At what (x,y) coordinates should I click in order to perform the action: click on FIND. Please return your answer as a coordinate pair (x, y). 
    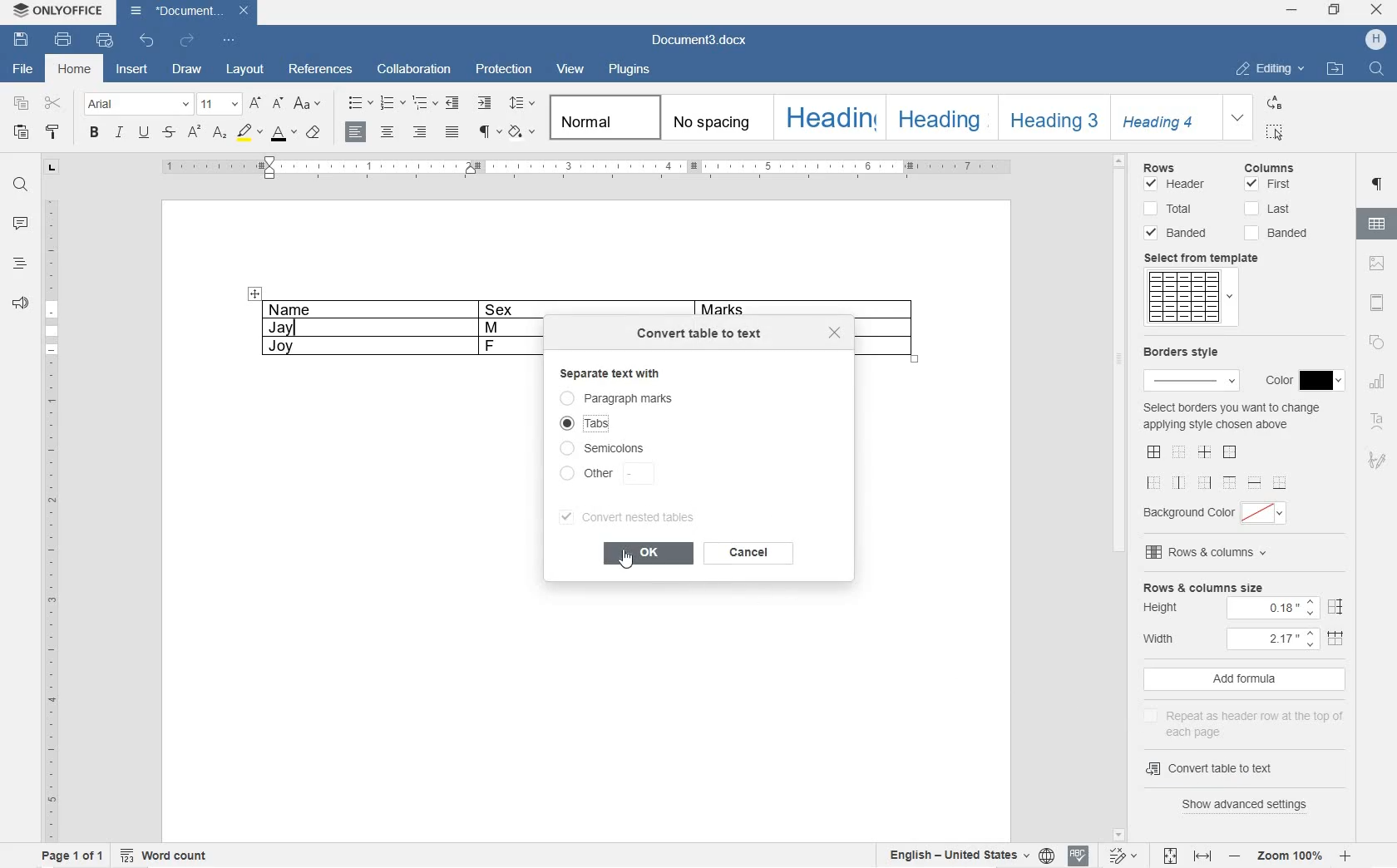
    Looking at the image, I should click on (1376, 70).